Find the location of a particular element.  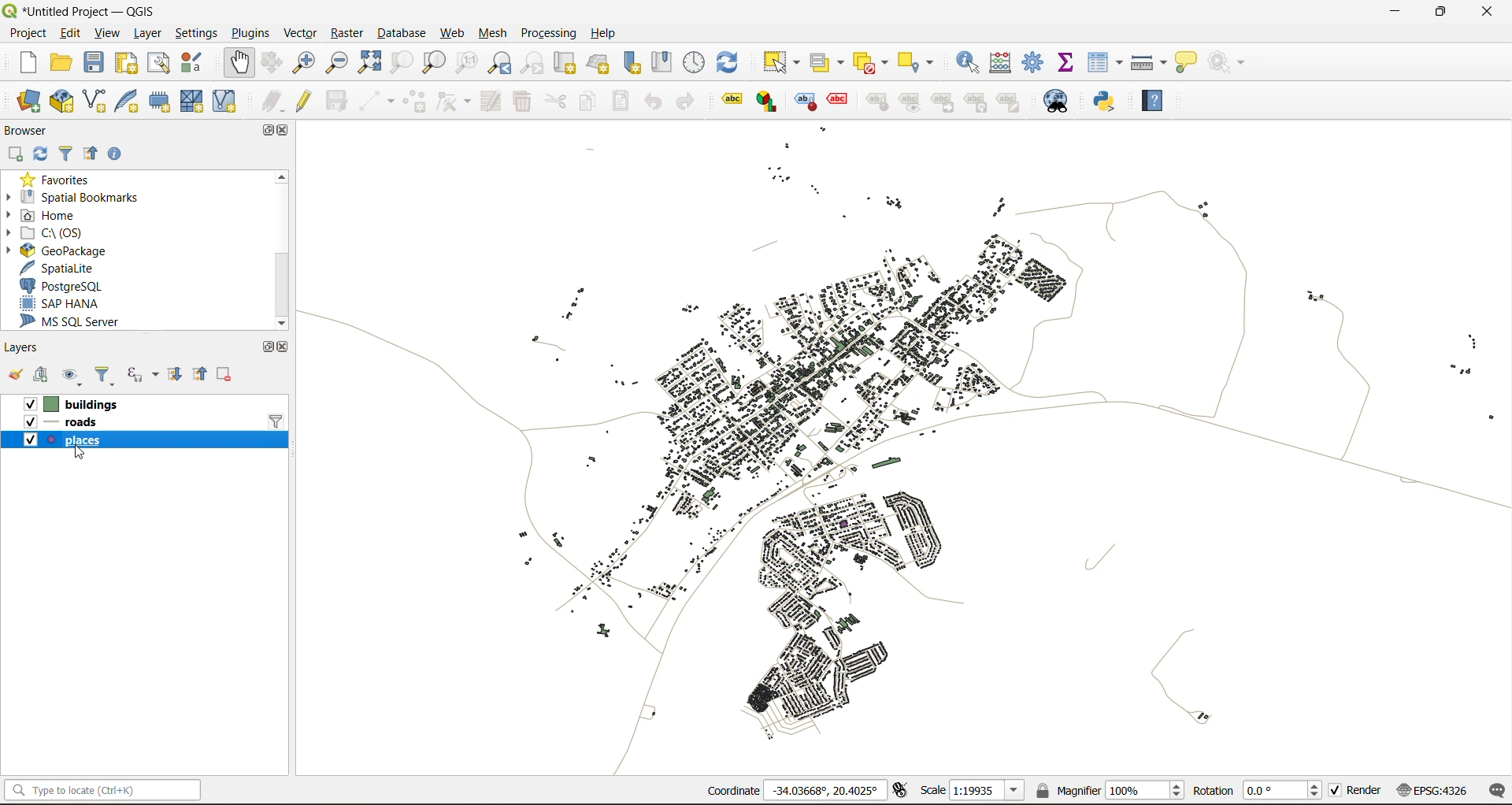

spatial bookmarks is located at coordinates (74, 200).